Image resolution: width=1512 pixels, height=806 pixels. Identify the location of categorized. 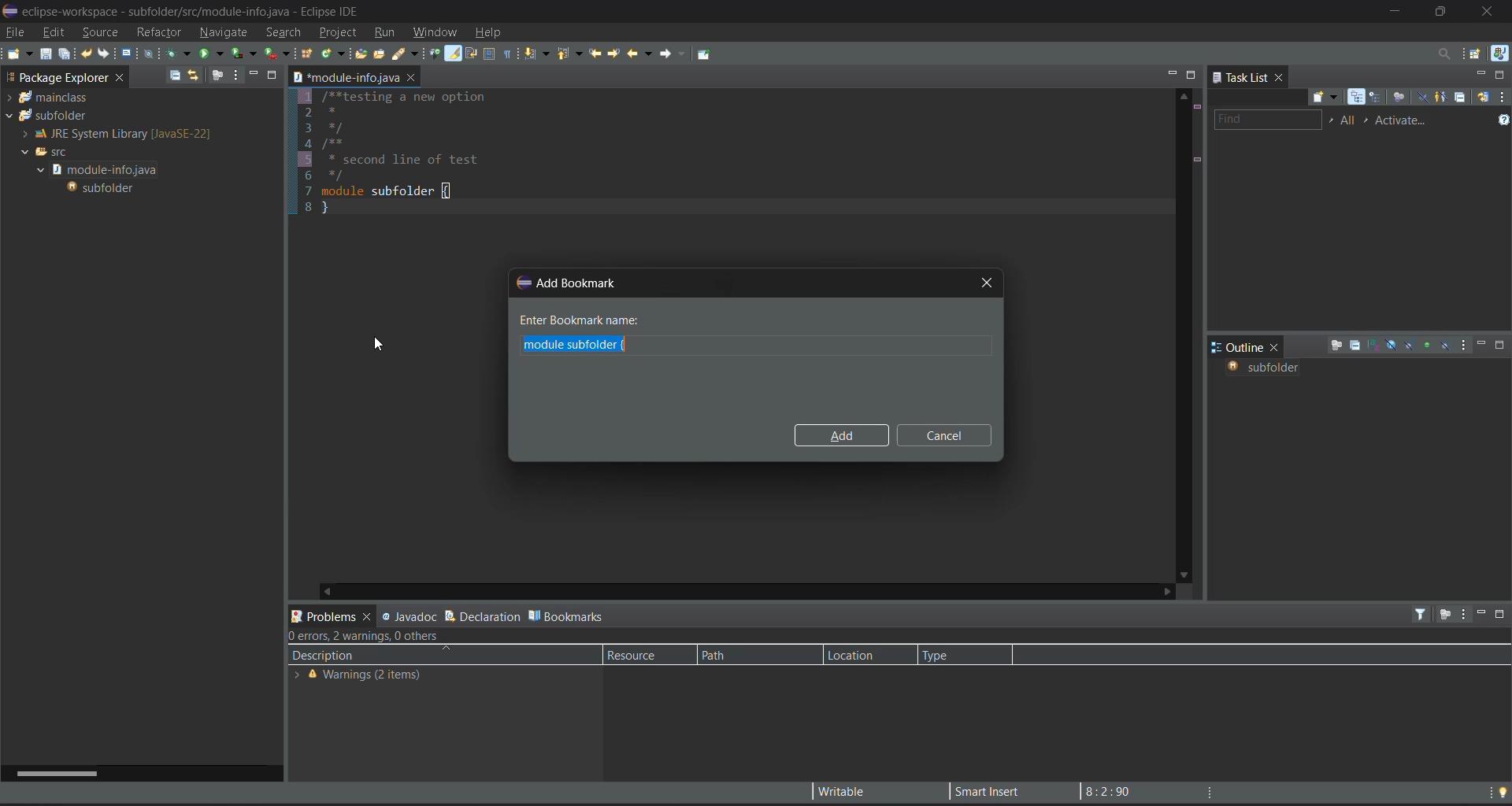
(1359, 98).